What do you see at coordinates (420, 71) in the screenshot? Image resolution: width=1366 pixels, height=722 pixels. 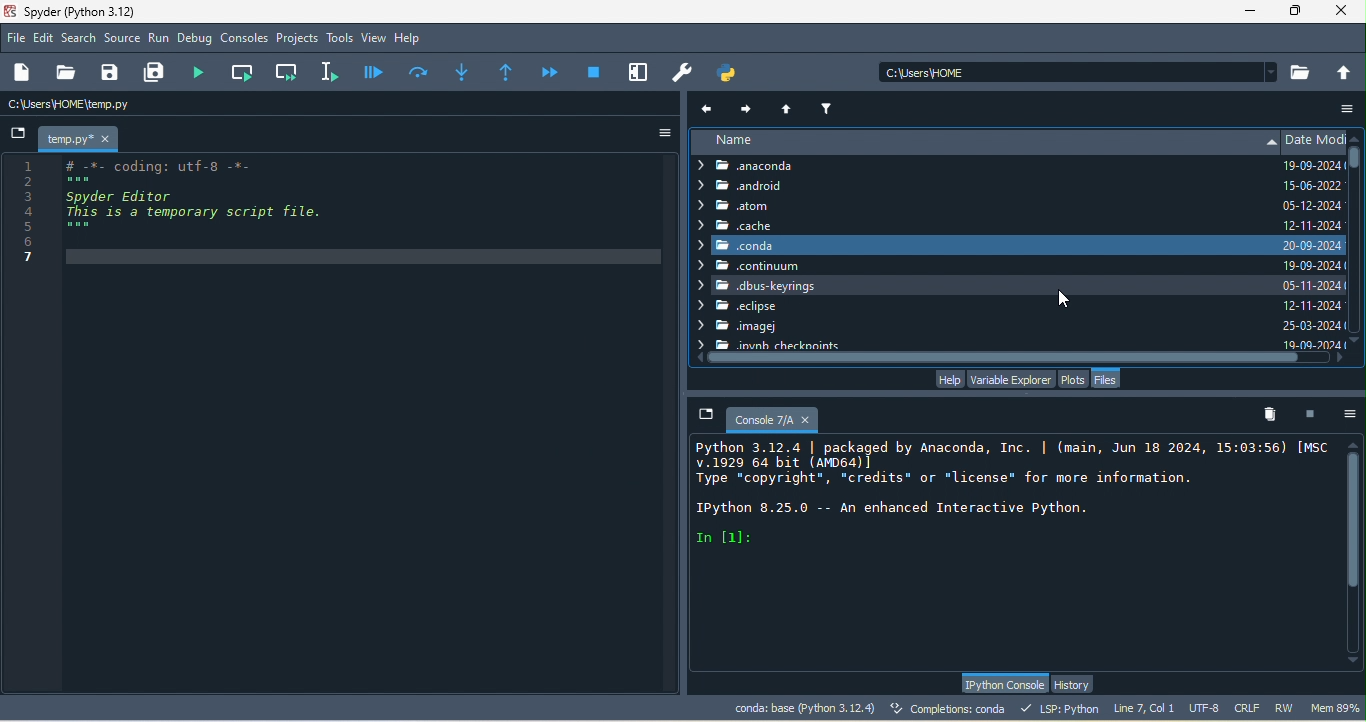 I see `execute current line ` at bounding box center [420, 71].